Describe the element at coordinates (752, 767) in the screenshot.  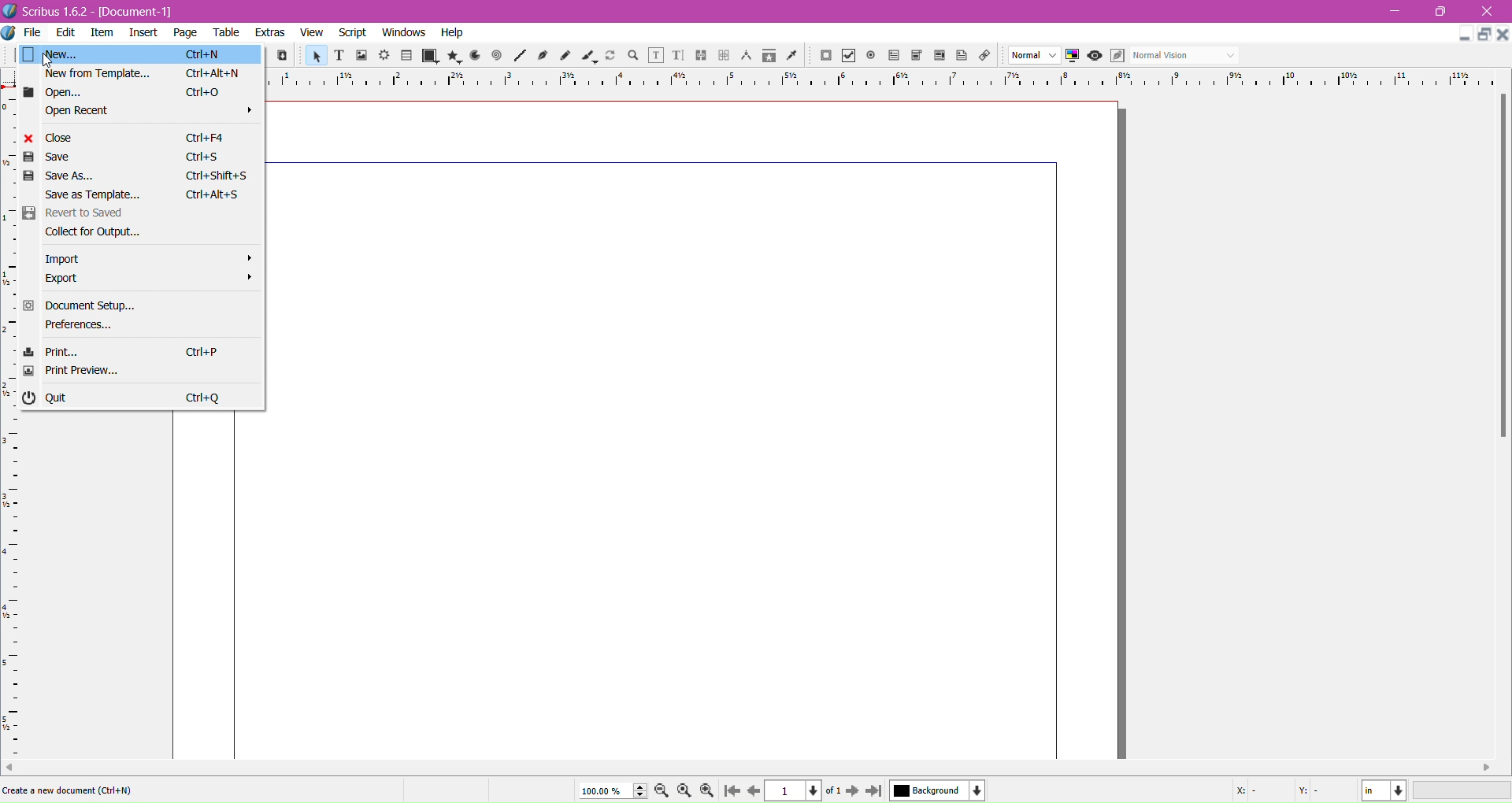
I see `vertical scroll bar` at that location.